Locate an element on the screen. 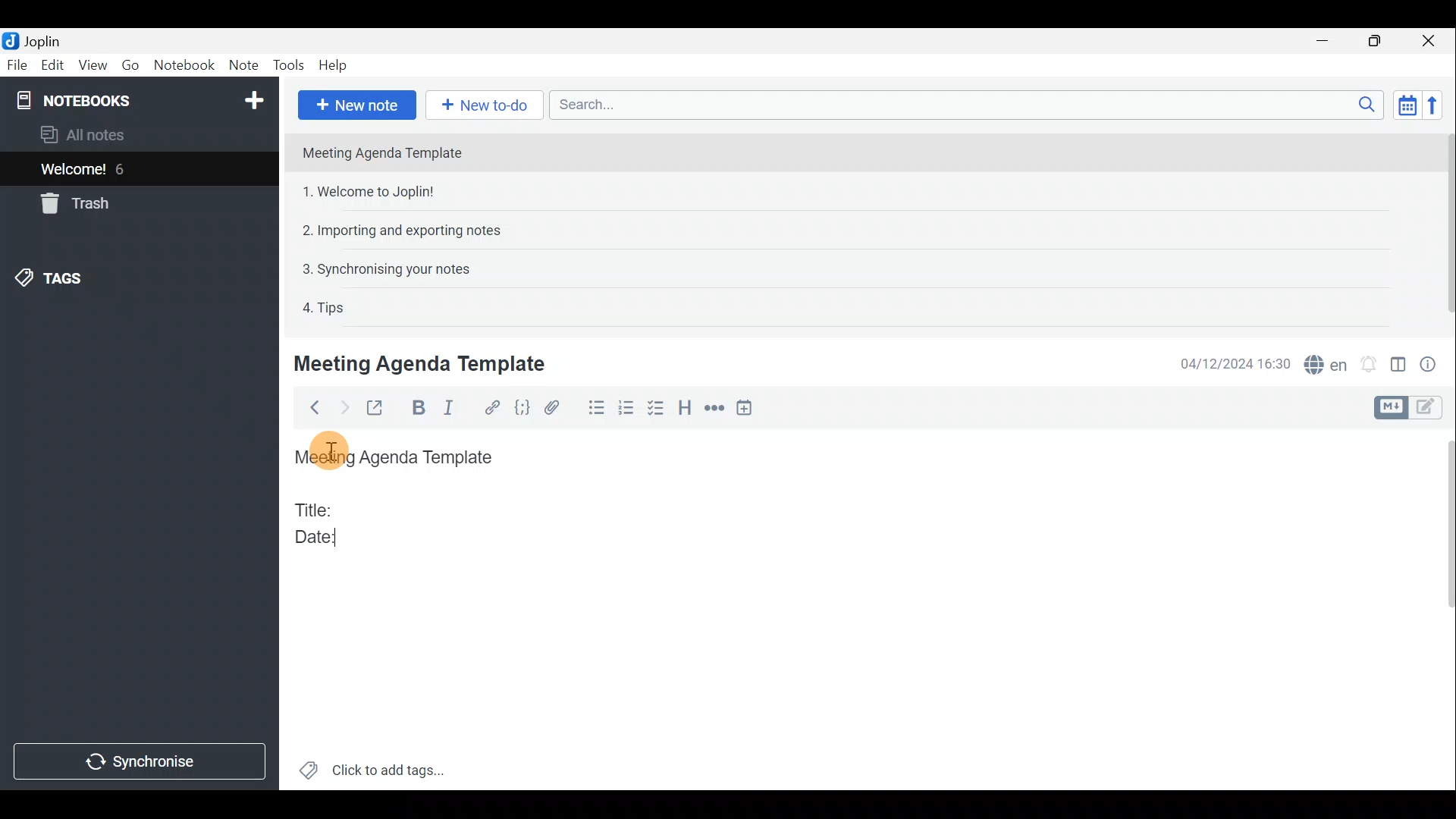  Trash is located at coordinates (72, 203).